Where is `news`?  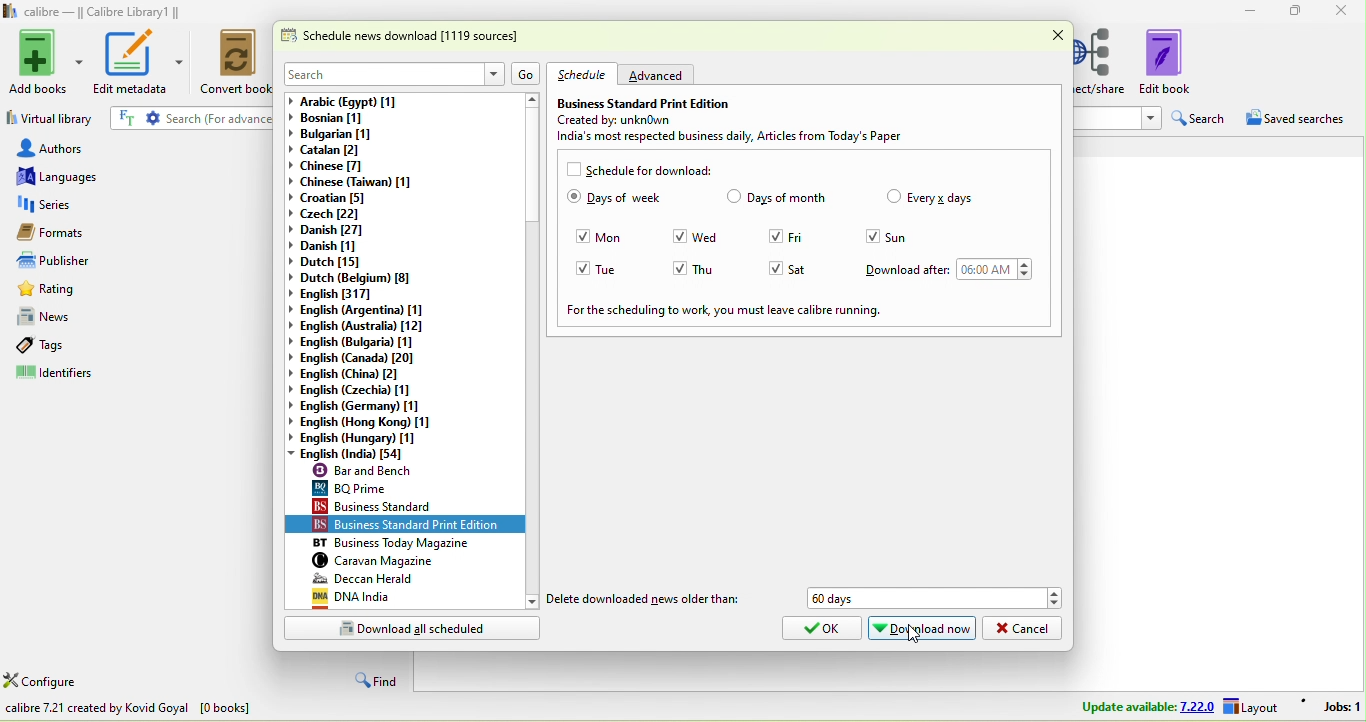 news is located at coordinates (143, 319).